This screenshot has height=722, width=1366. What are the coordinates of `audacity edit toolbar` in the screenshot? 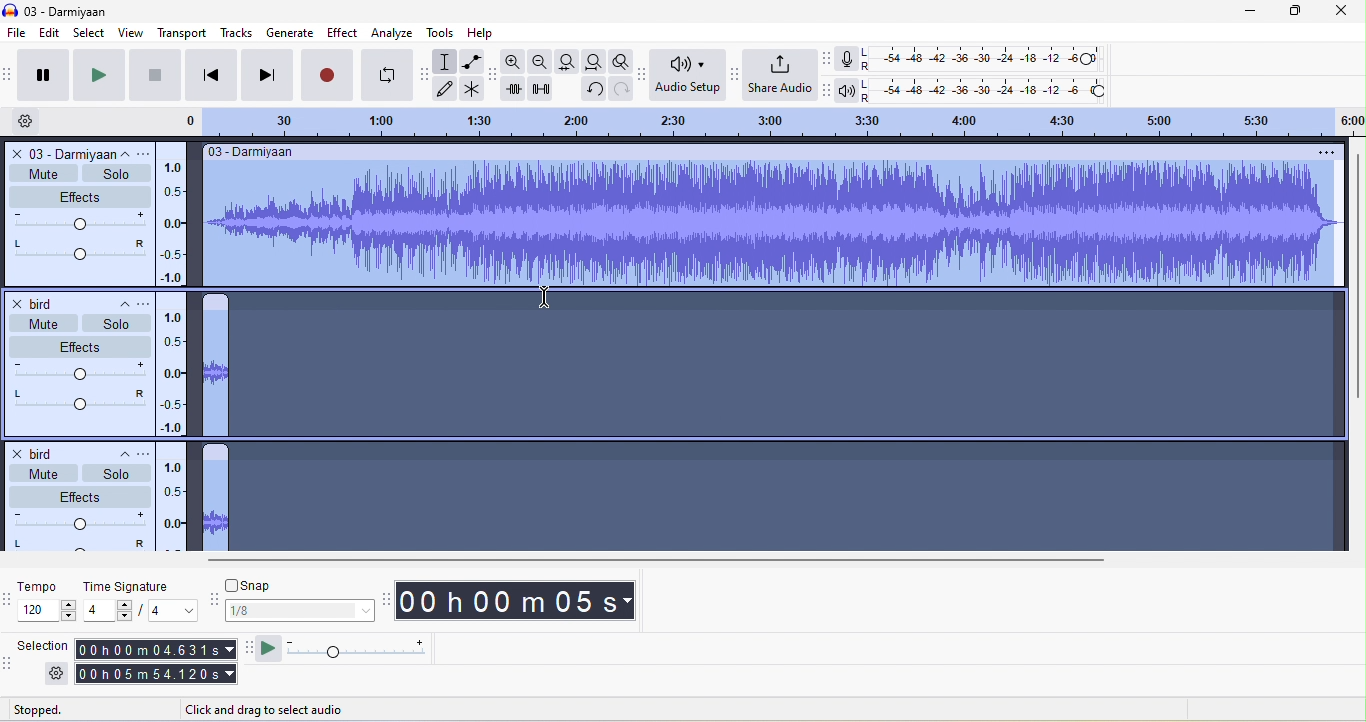 It's located at (495, 72).